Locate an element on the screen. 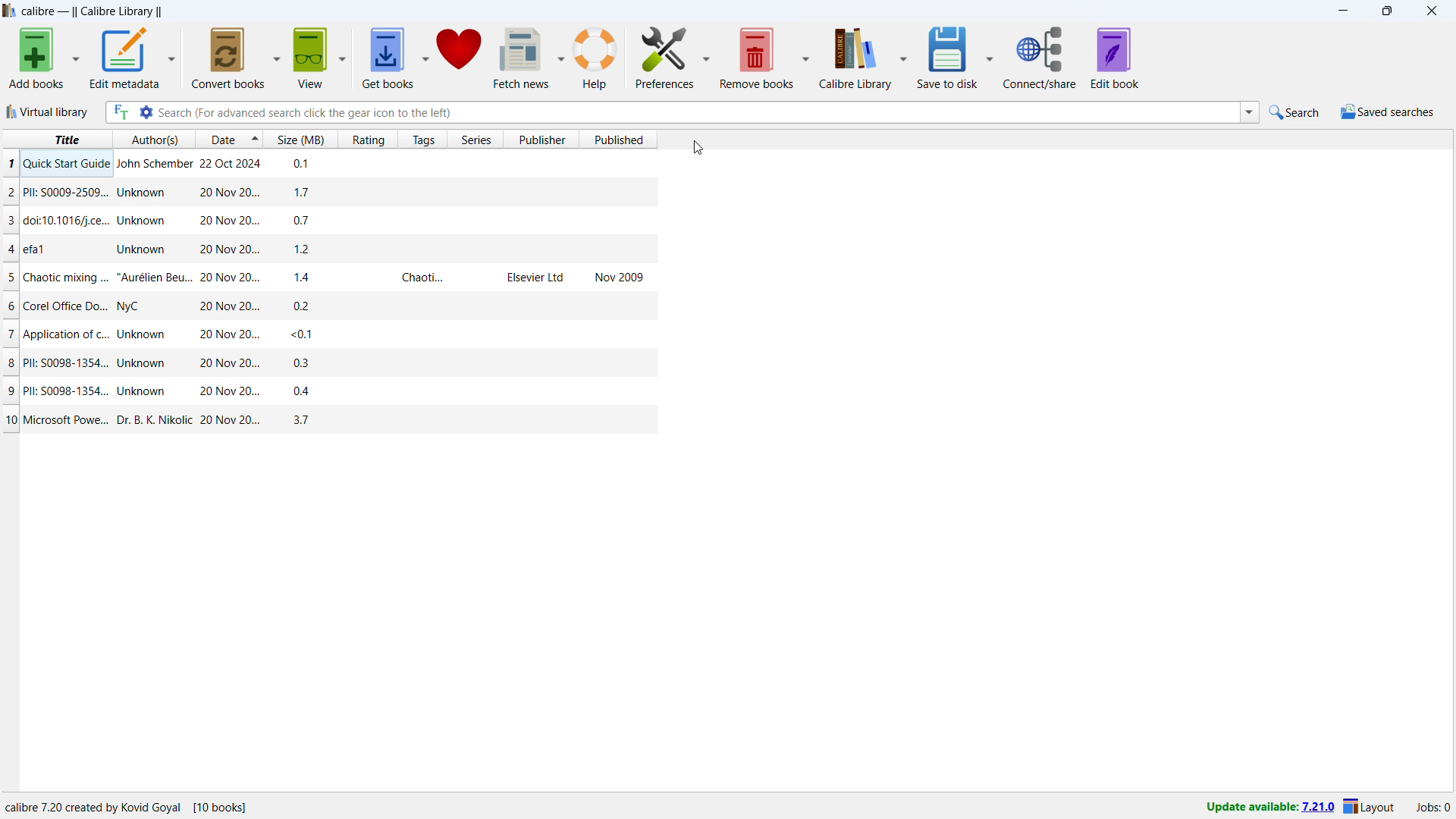 Image resolution: width=1456 pixels, height=819 pixels. preferences is located at coordinates (664, 57).